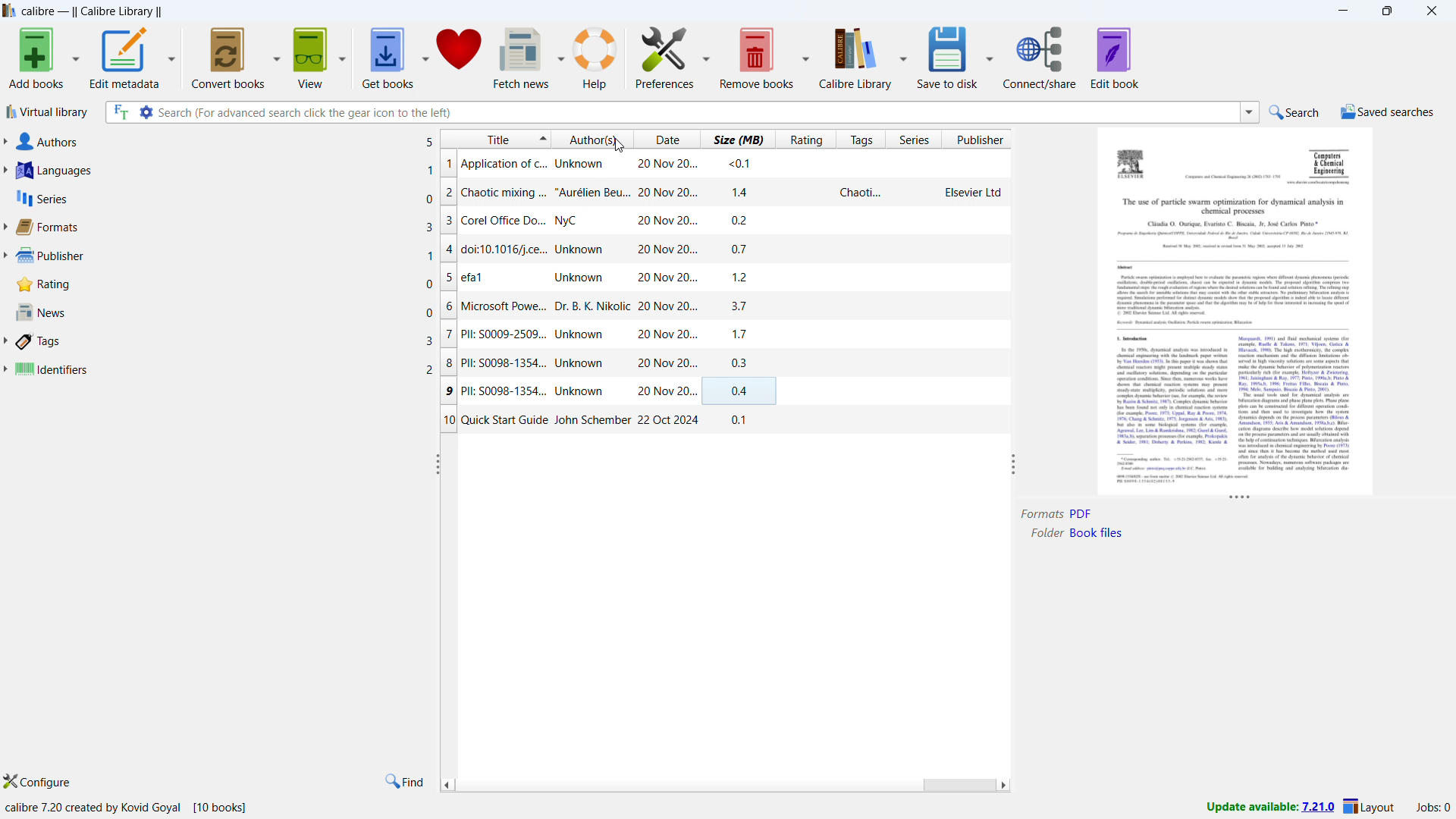 The height and width of the screenshot is (819, 1456). Describe the element at coordinates (585, 305) in the screenshot. I see `Microsoft Powe... Dr. B. K. Nikolic 20 Nov 20...` at that location.